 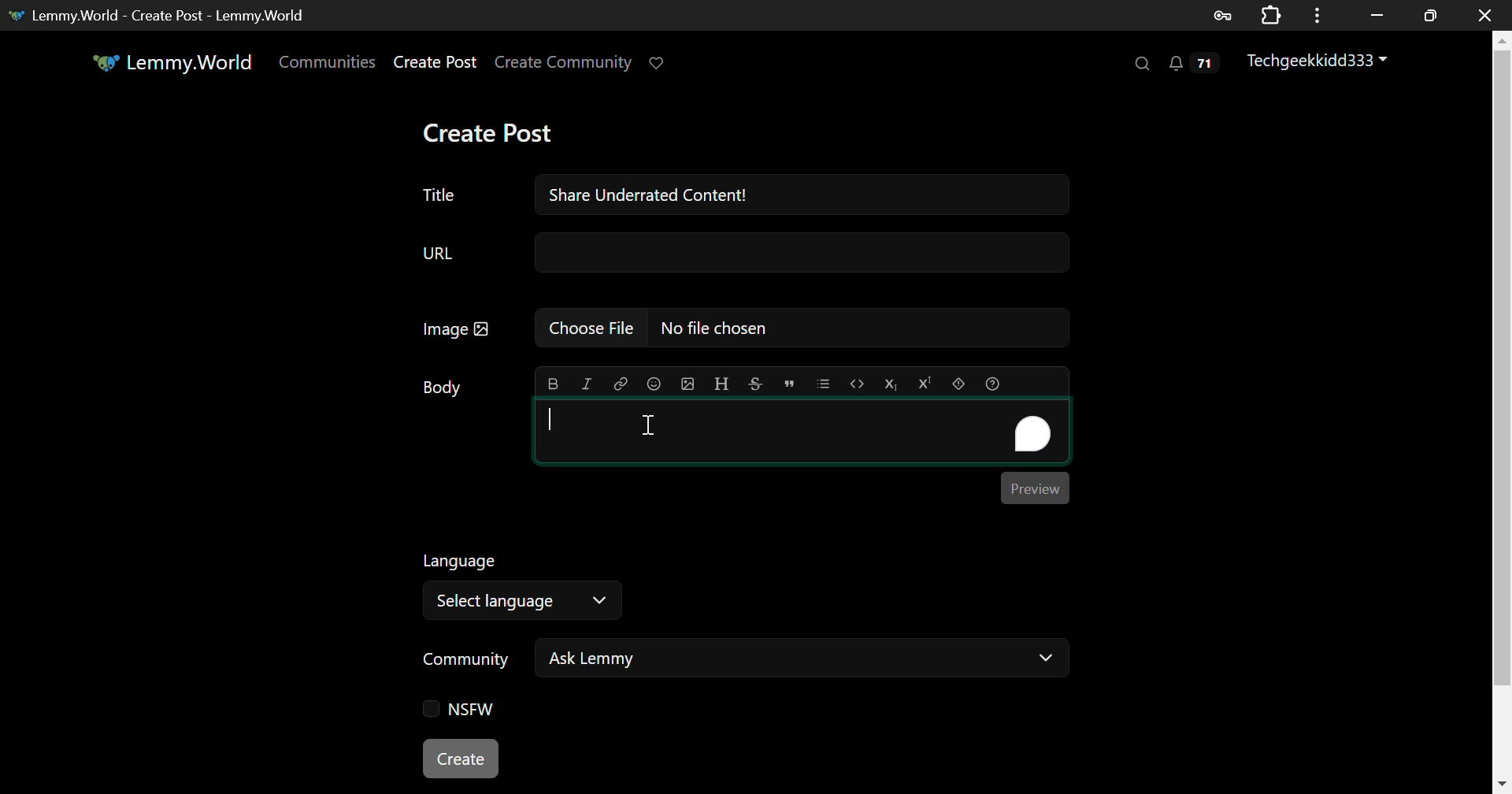 I want to click on Formatting Help, so click(x=991, y=384).